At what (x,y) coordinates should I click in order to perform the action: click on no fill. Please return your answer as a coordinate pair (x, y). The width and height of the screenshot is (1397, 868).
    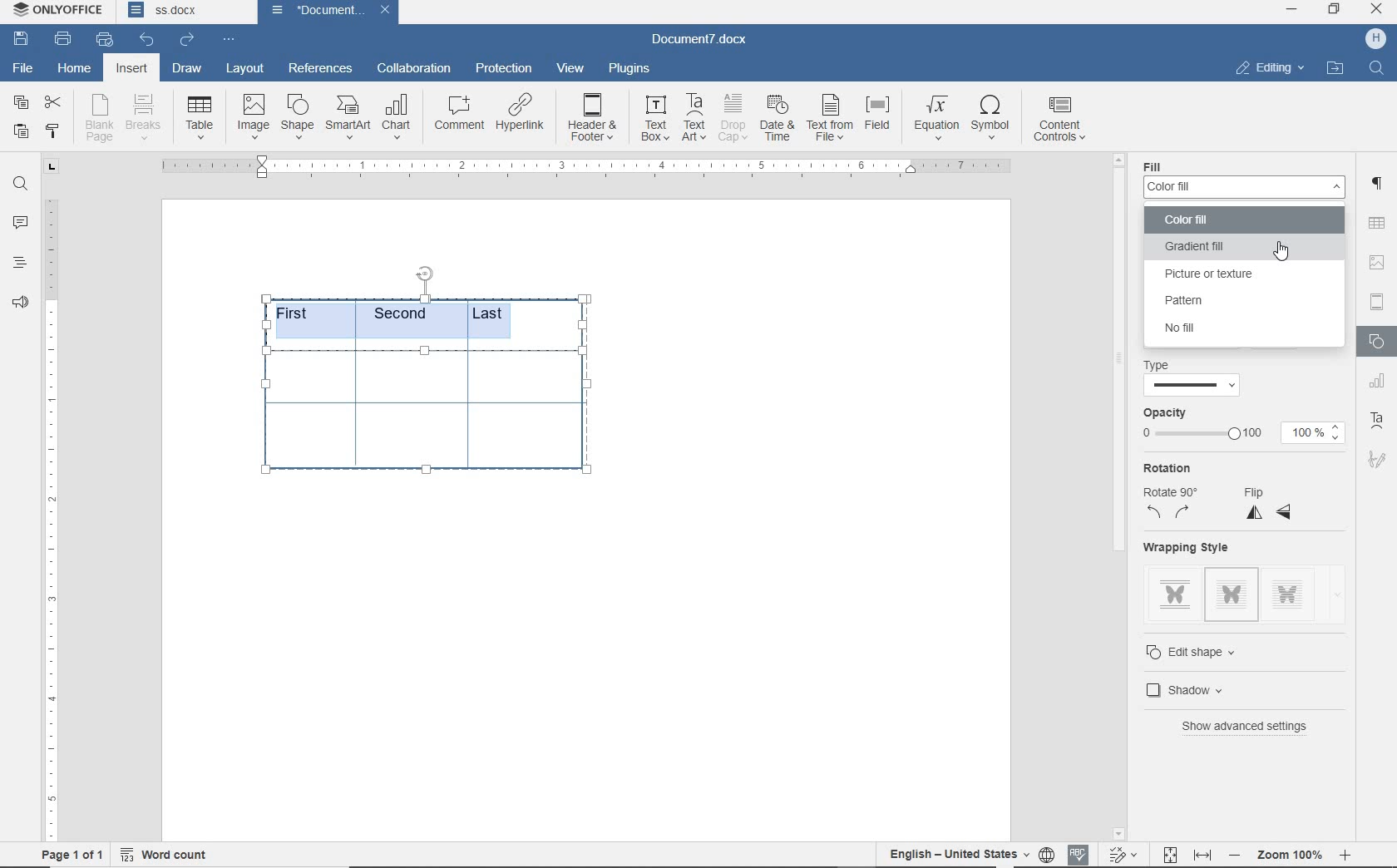
    Looking at the image, I should click on (1220, 328).